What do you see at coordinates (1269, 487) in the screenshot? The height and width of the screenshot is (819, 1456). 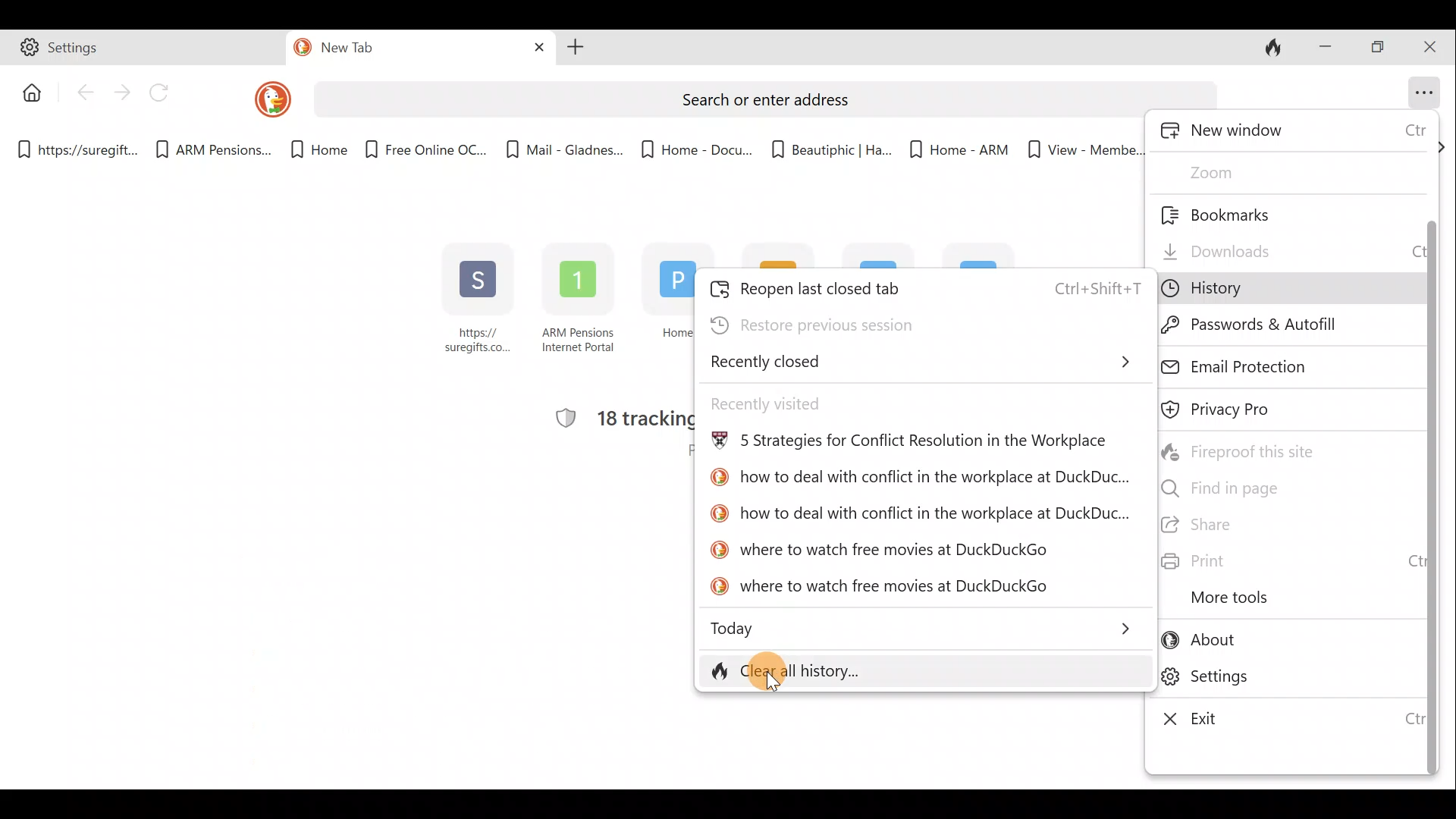 I see `Find in page` at bounding box center [1269, 487].